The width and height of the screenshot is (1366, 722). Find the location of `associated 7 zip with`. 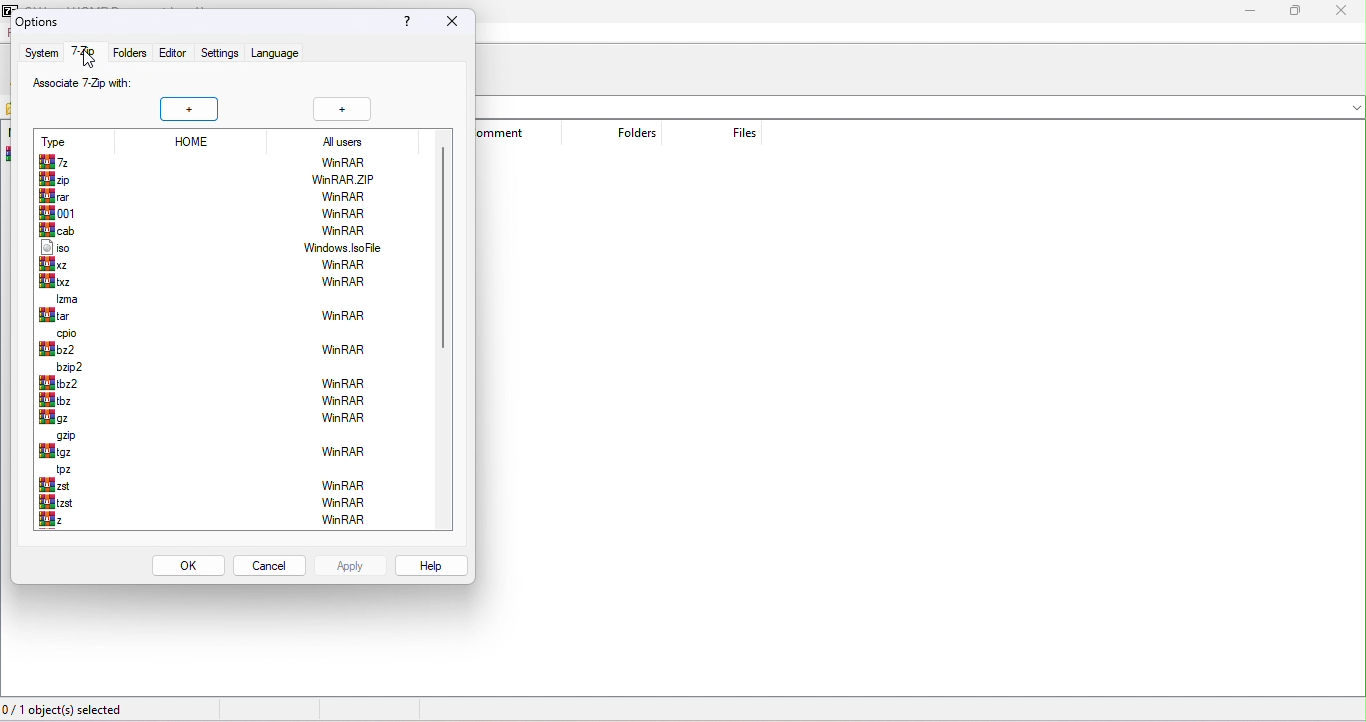

associated 7 zip with is located at coordinates (90, 85).